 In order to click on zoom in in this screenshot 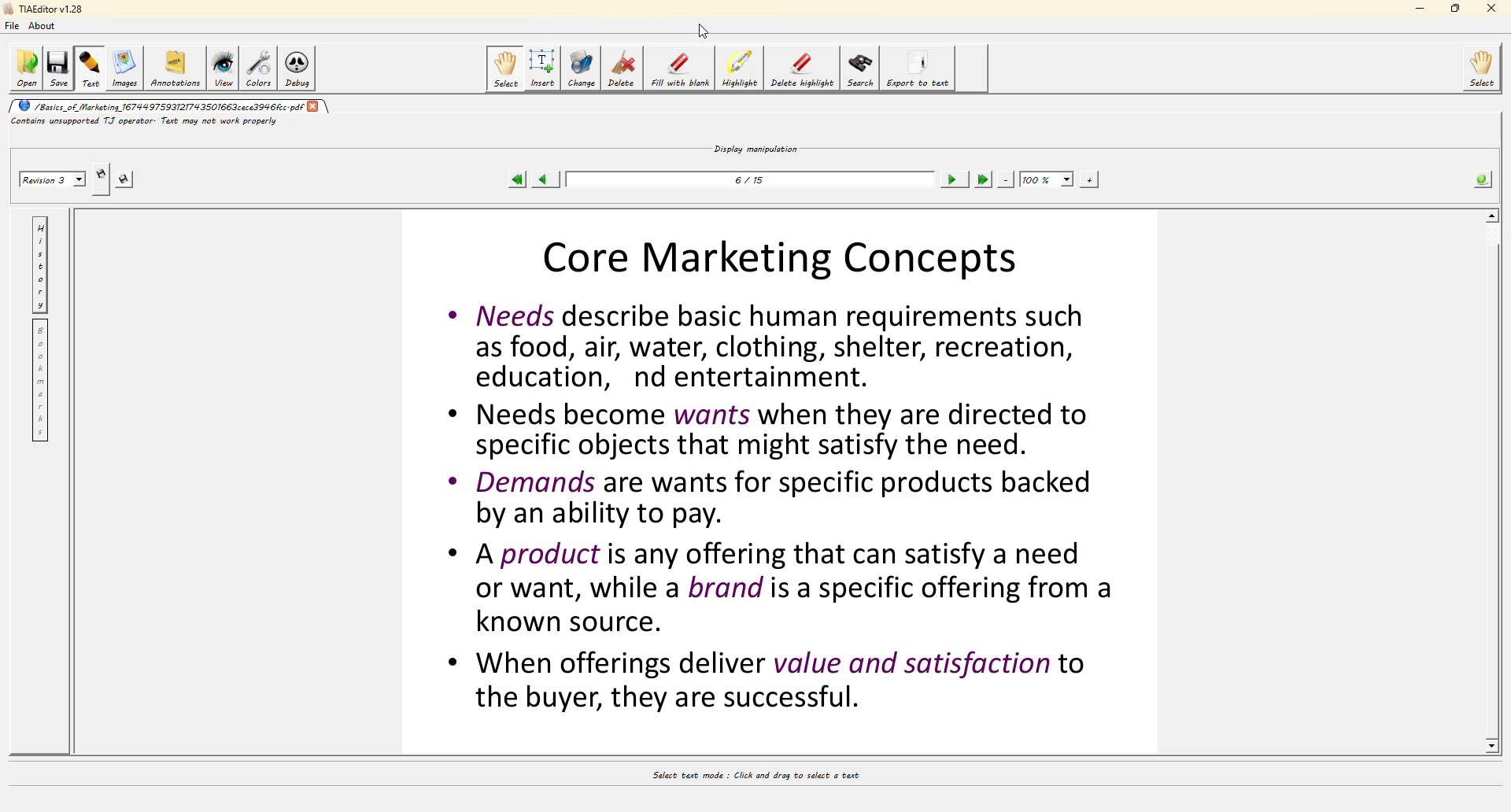, I will do `click(1088, 180)`.